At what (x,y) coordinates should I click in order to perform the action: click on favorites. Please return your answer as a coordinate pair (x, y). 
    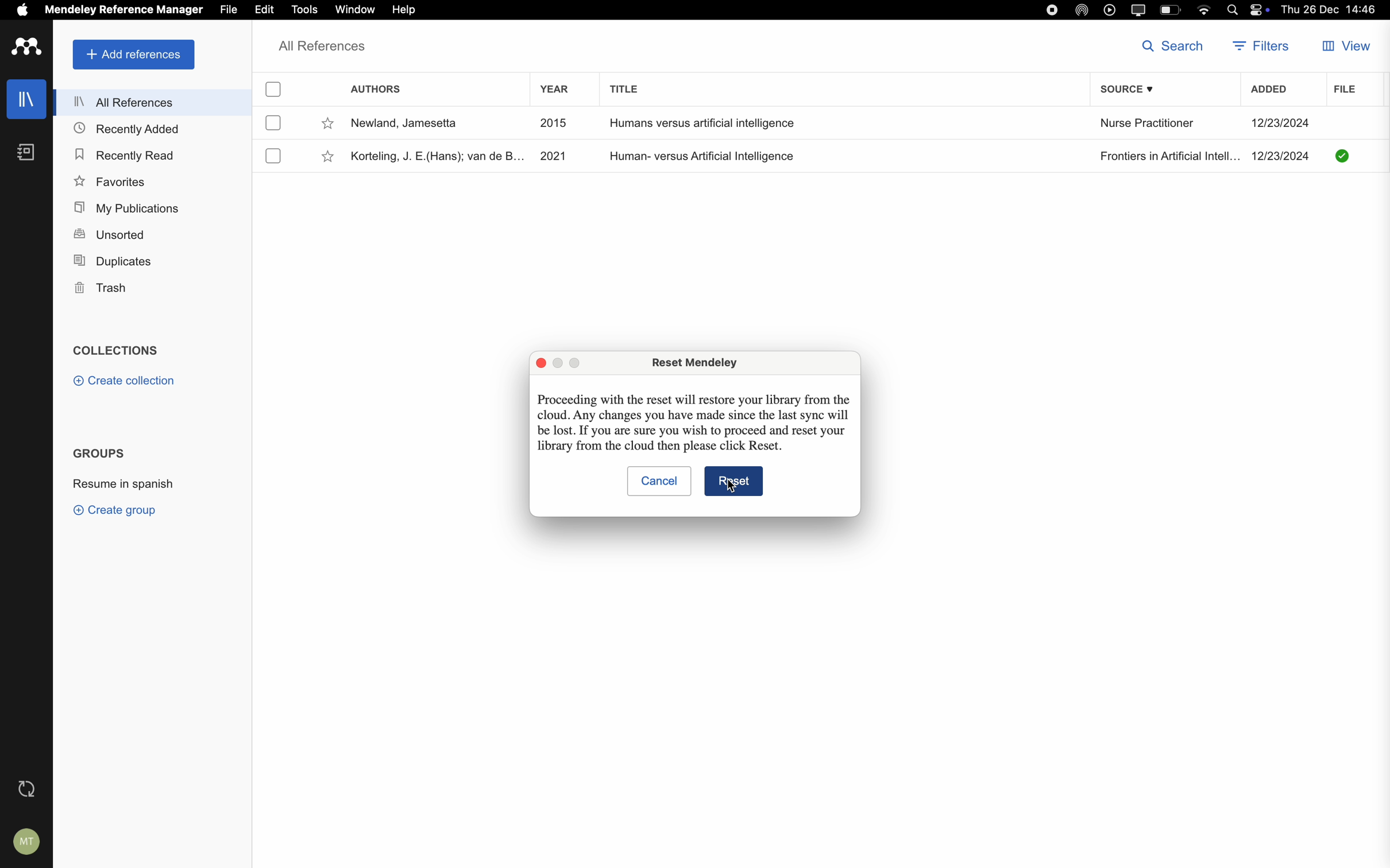
    Looking at the image, I should click on (113, 180).